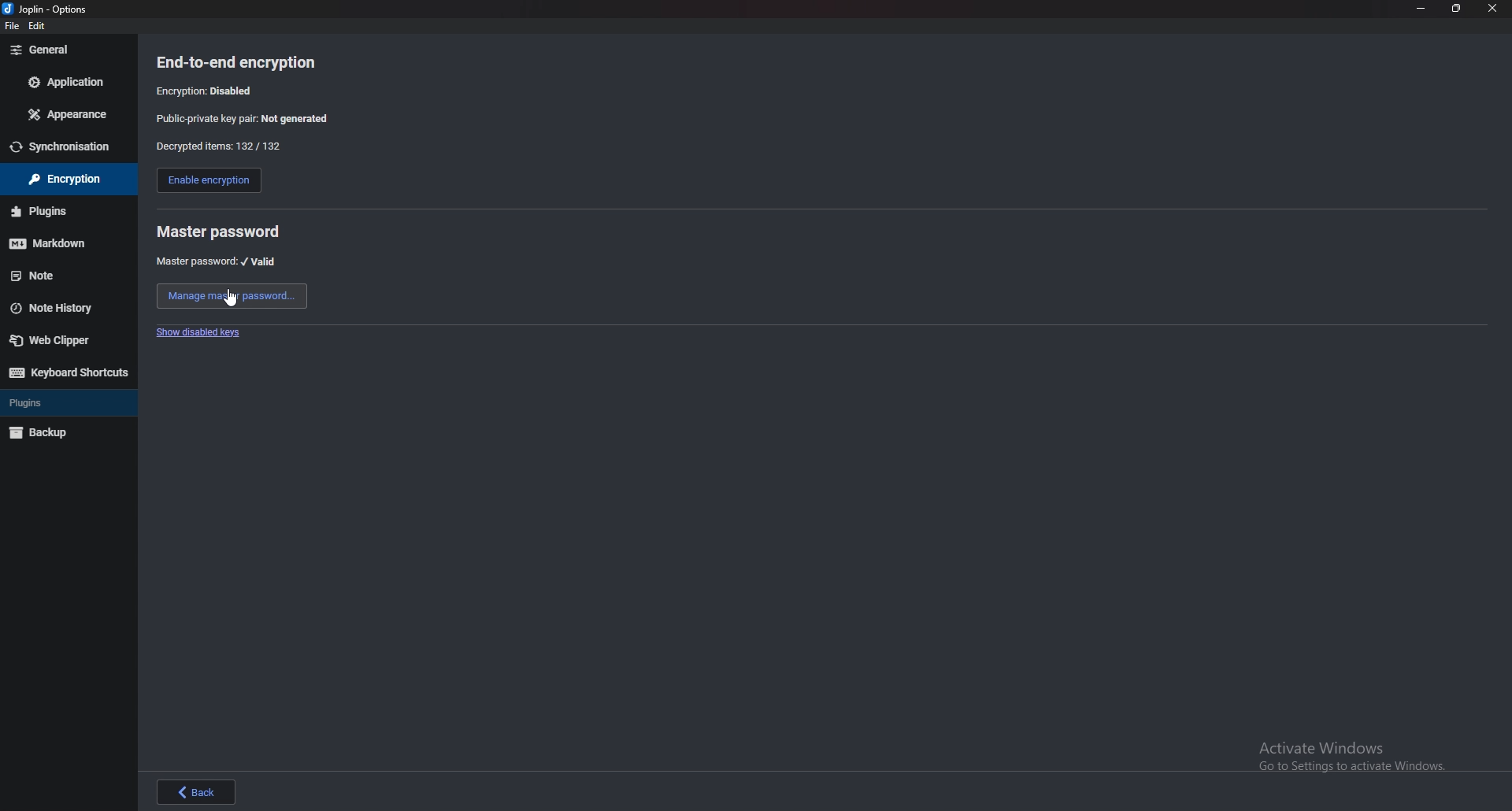  What do you see at coordinates (217, 261) in the screenshot?
I see `master password` at bounding box center [217, 261].